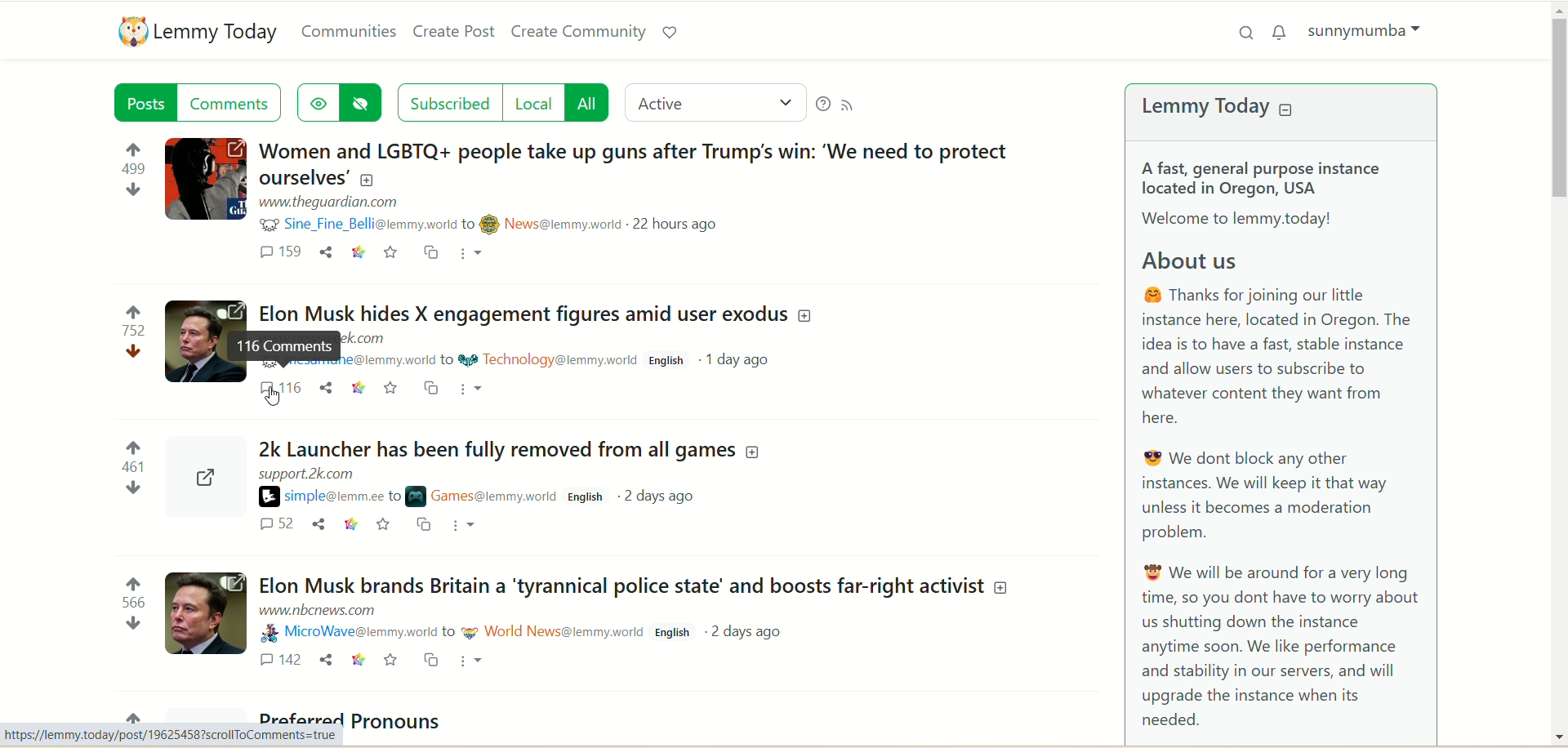 This screenshot has height=748, width=1568. What do you see at coordinates (431, 387) in the screenshot?
I see `` at bounding box center [431, 387].